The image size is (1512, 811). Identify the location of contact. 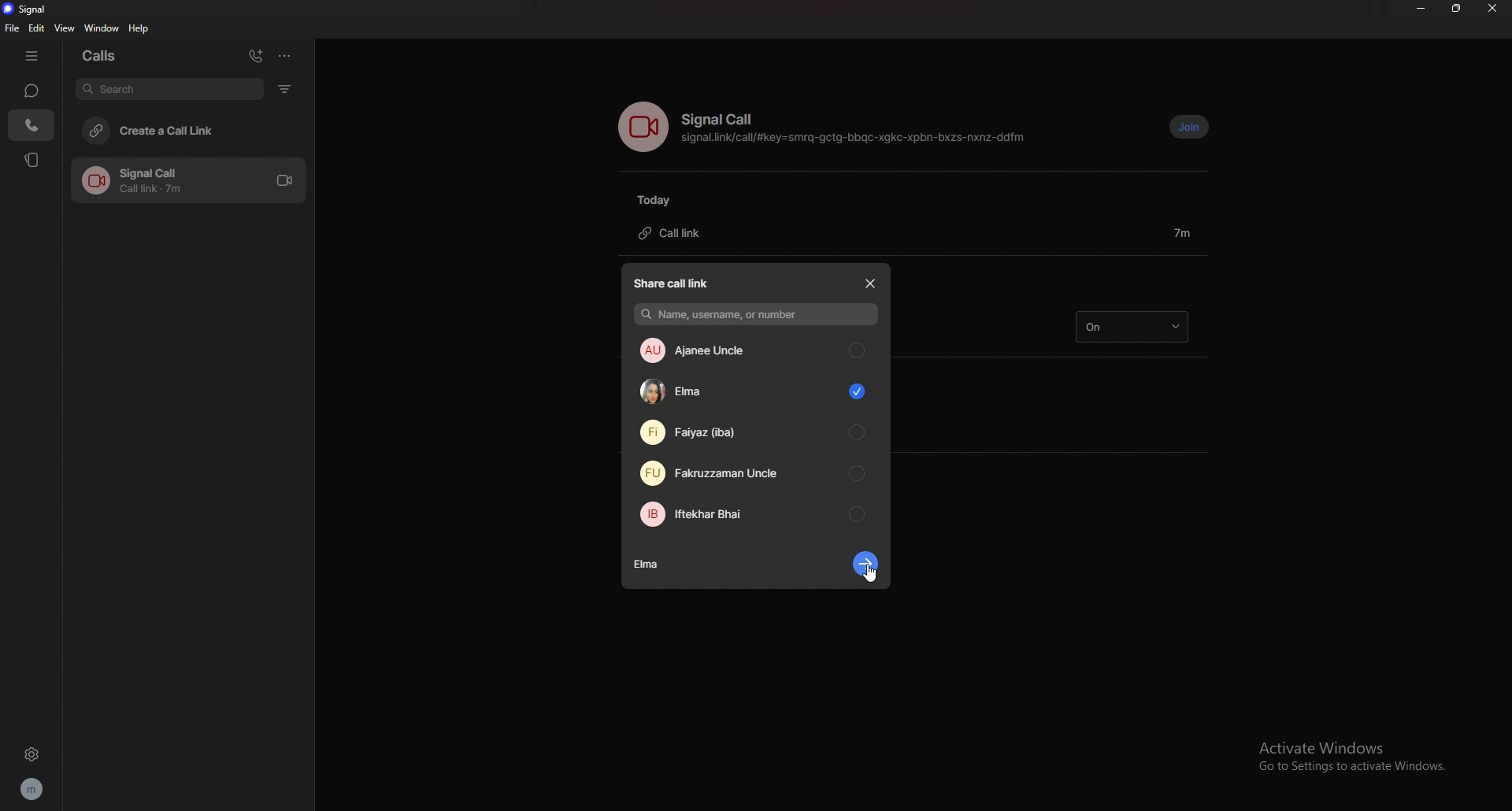
(754, 351).